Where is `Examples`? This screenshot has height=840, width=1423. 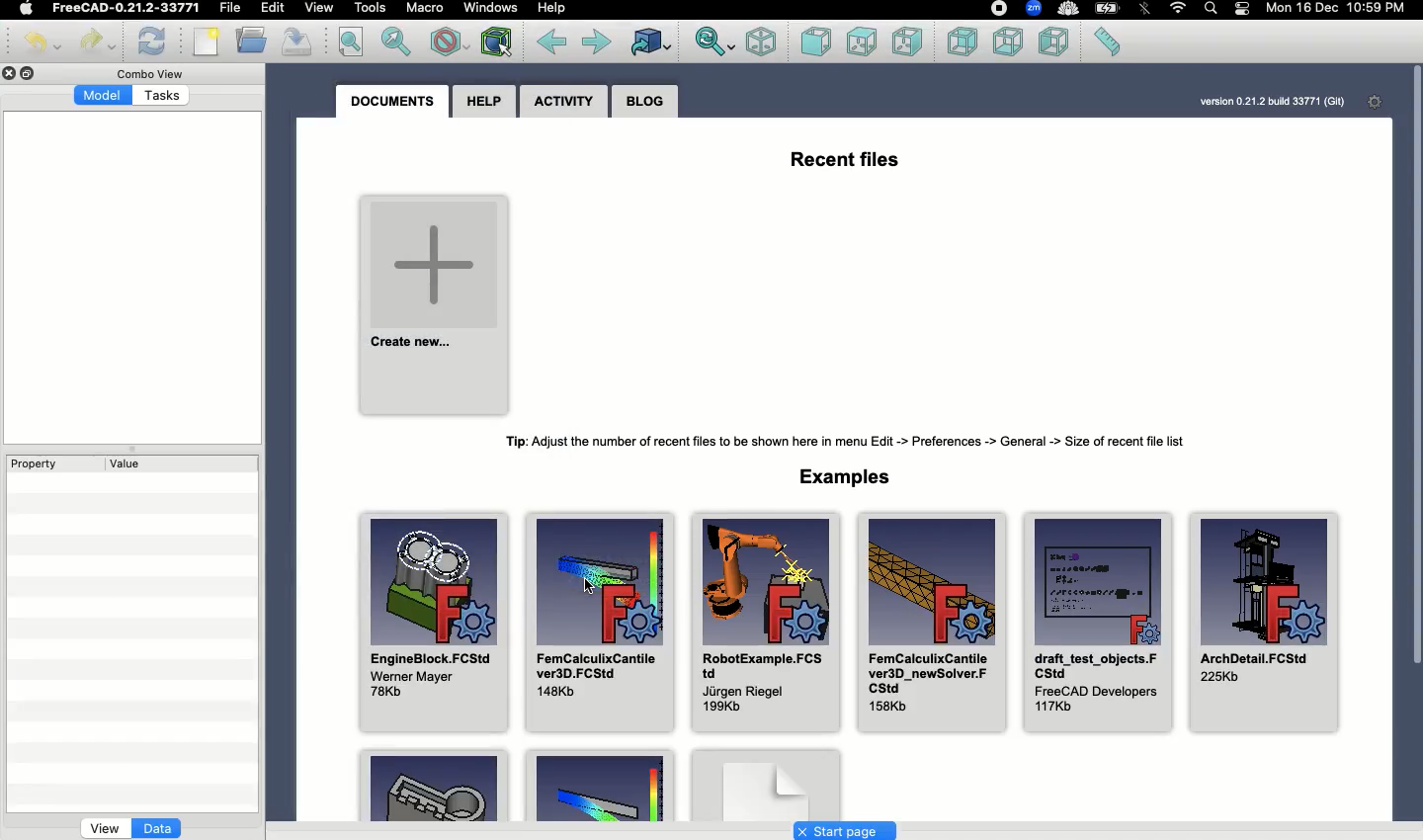 Examples is located at coordinates (845, 476).